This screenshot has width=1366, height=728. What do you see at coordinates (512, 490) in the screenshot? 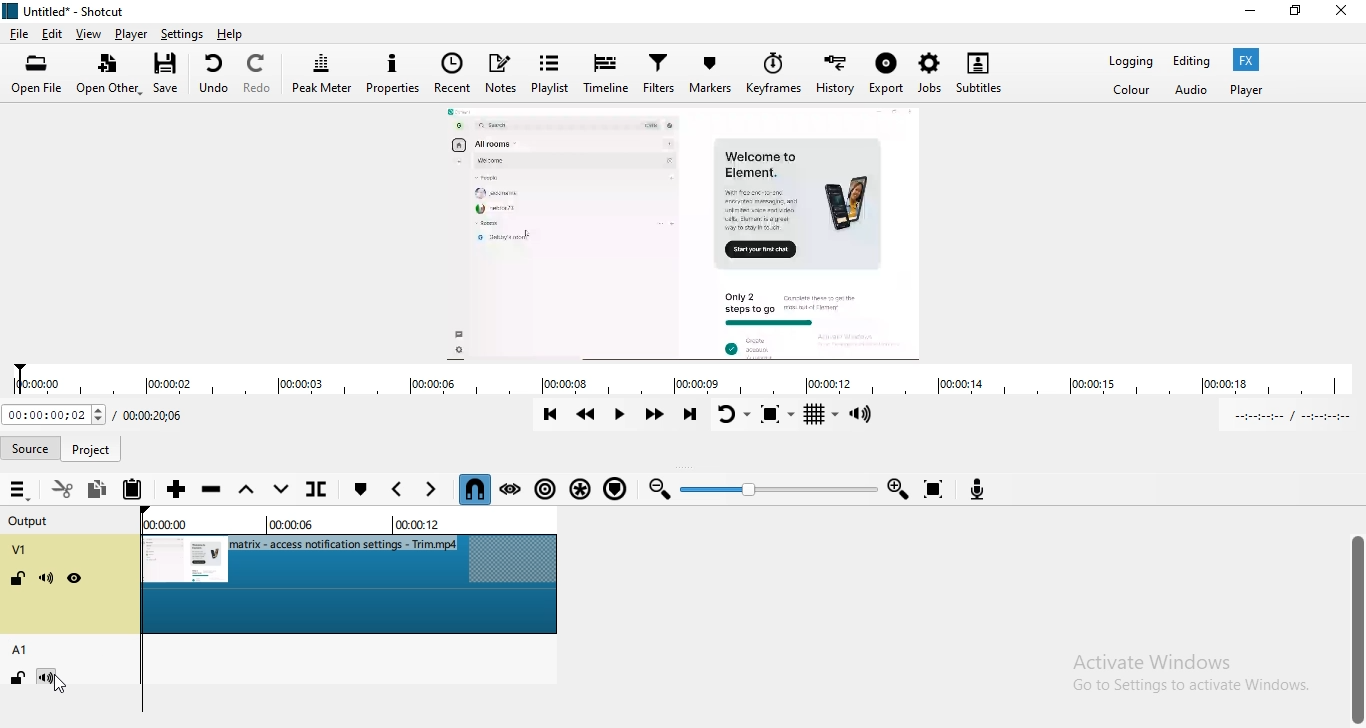
I see `Scrub while dragging` at bounding box center [512, 490].